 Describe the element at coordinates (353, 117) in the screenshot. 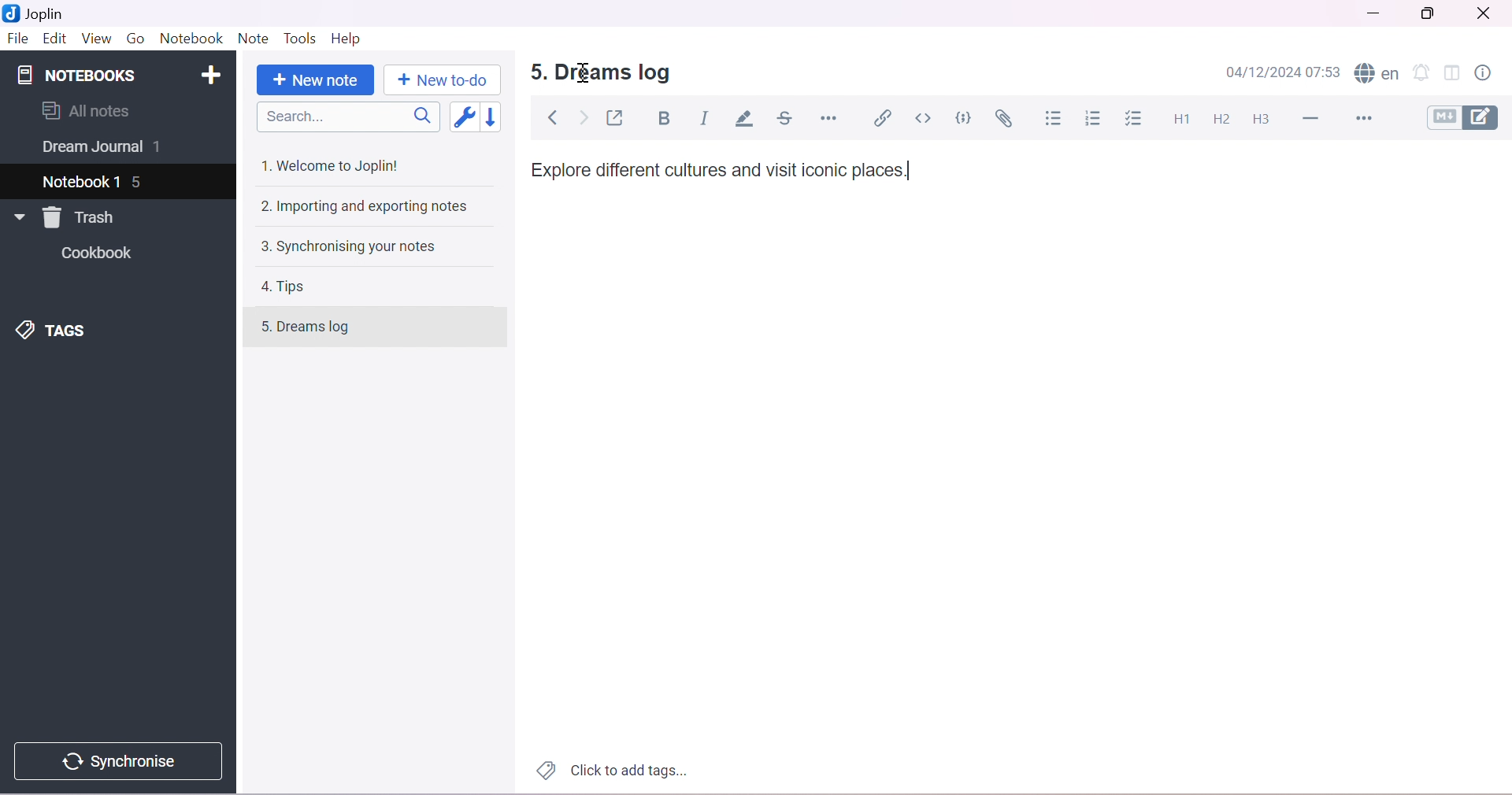

I see `Search` at that location.